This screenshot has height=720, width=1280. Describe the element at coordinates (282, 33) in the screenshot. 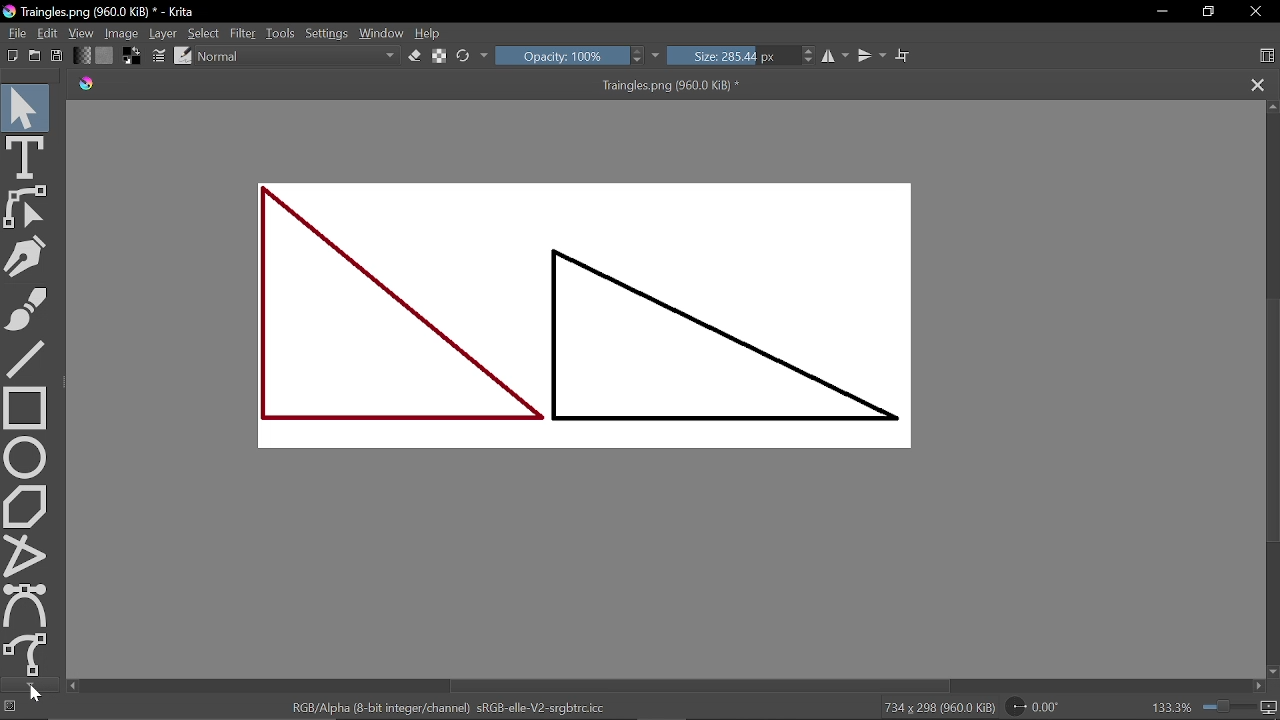

I see `Tools` at that location.